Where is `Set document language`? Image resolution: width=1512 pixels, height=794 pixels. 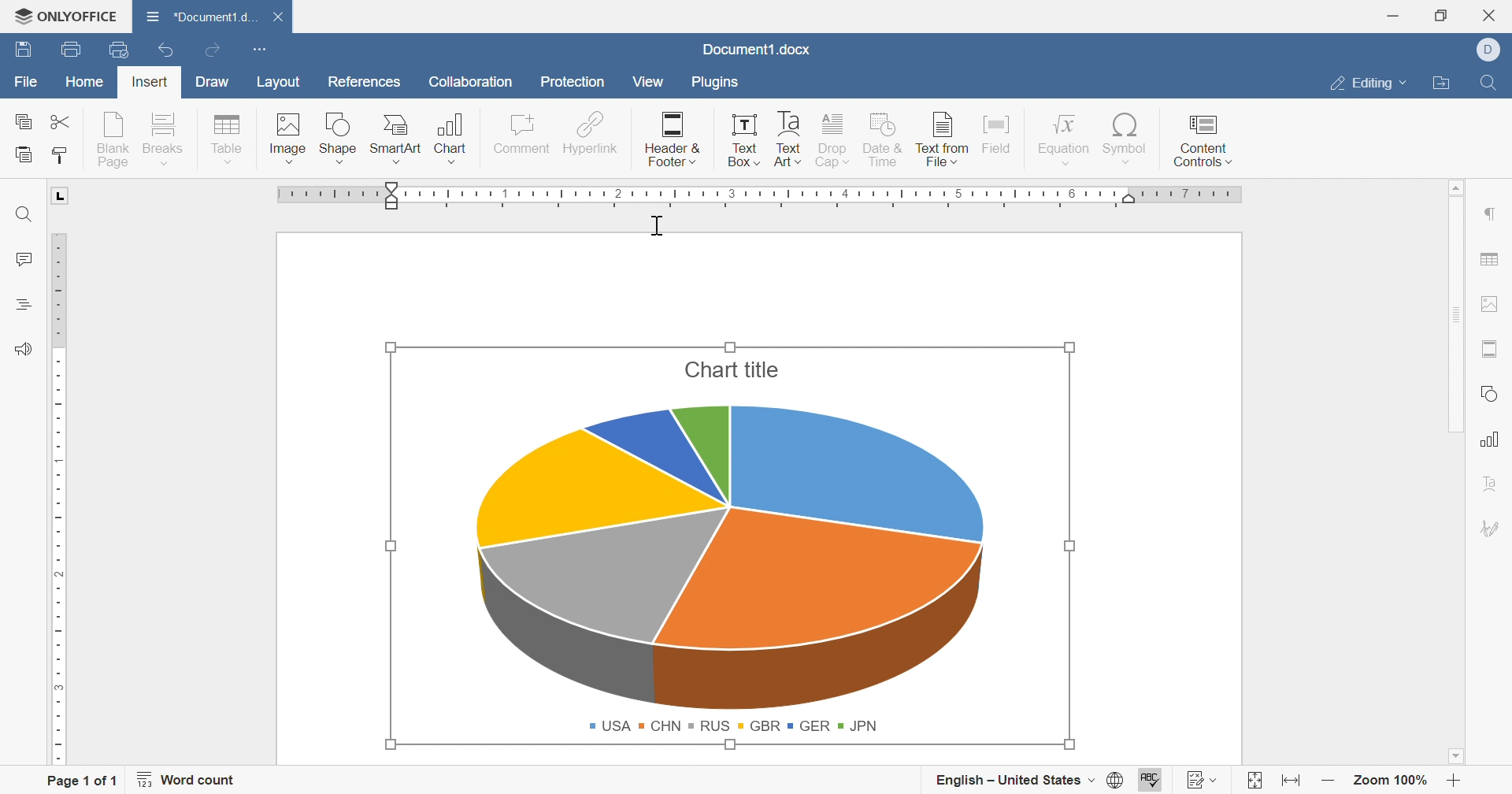 Set document language is located at coordinates (1116, 779).